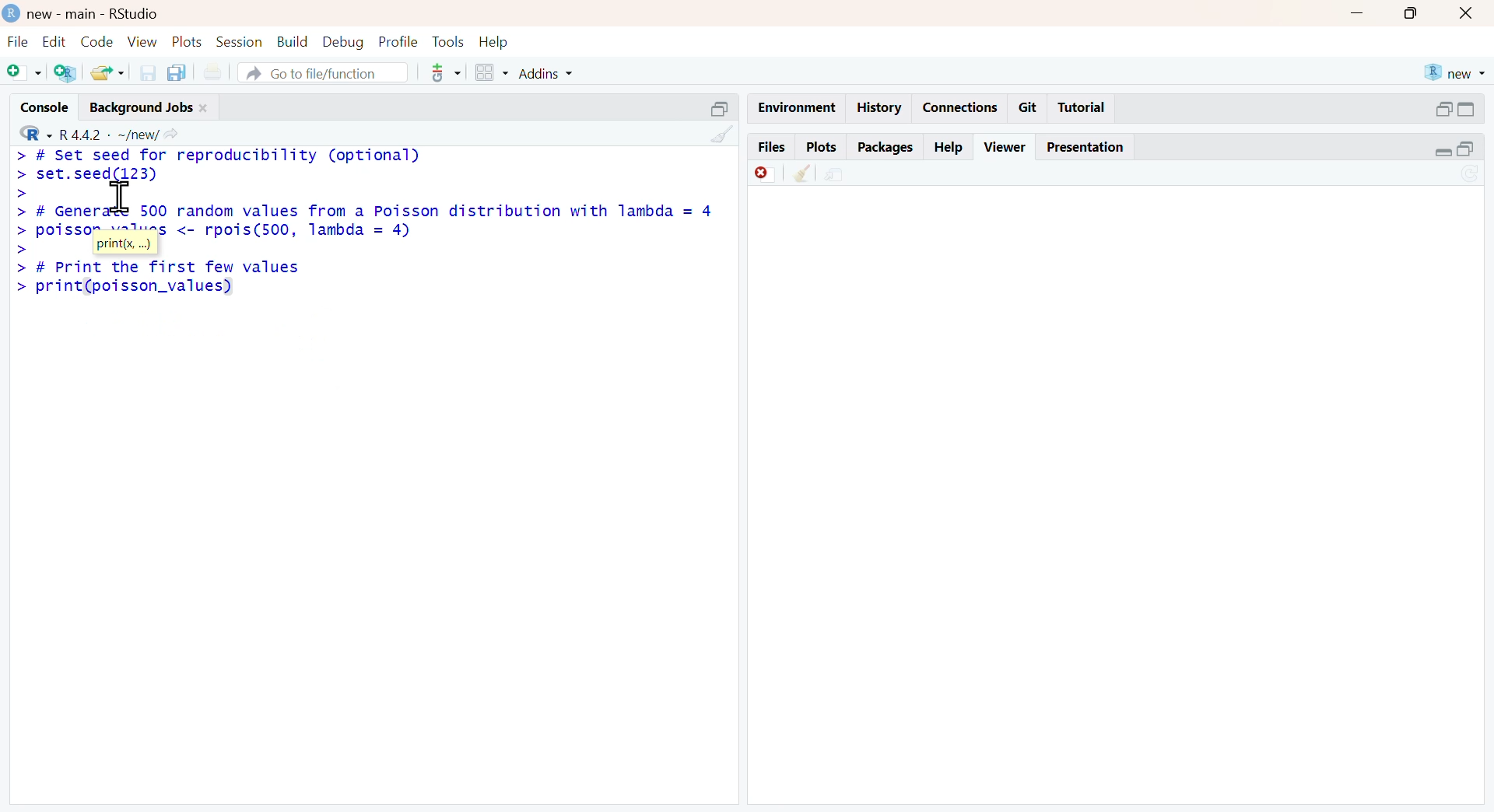 Image resolution: width=1494 pixels, height=812 pixels. What do you see at coordinates (798, 108) in the screenshot?
I see `enviornment` at bounding box center [798, 108].